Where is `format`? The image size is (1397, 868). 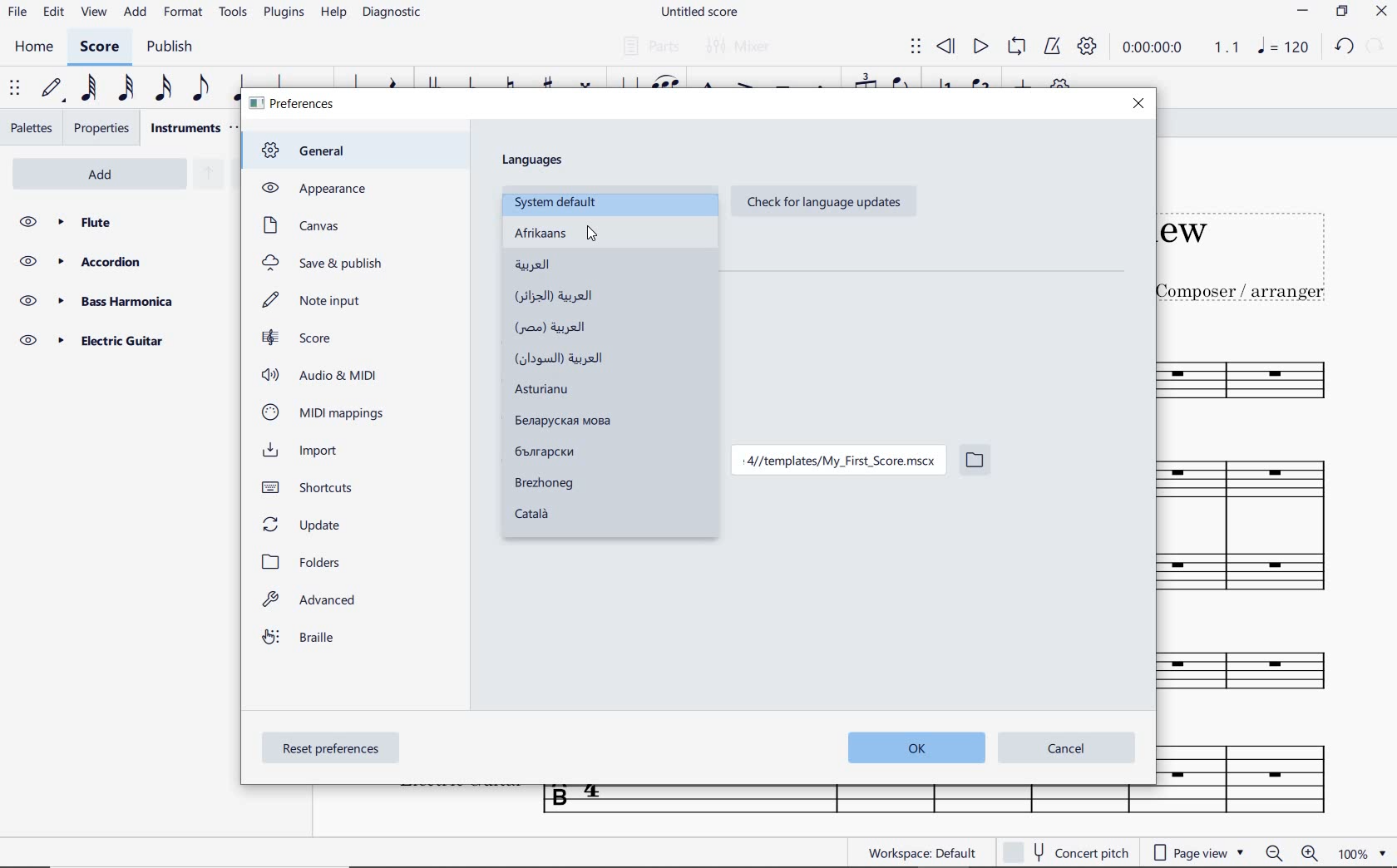
format is located at coordinates (185, 13).